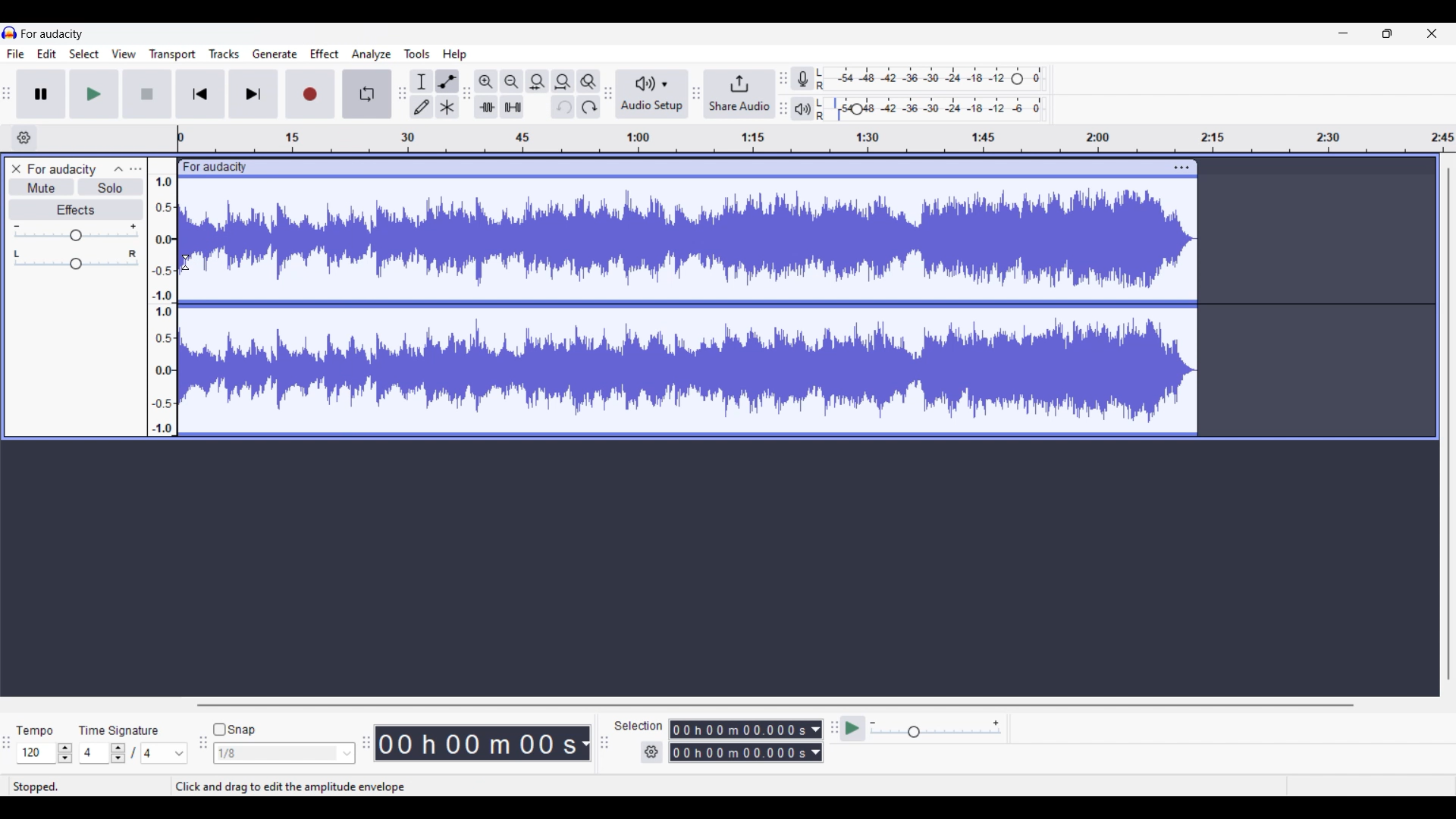  Describe the element at coordinates (134, 754) in the screenshot. I see `Time signature settings` at that location.